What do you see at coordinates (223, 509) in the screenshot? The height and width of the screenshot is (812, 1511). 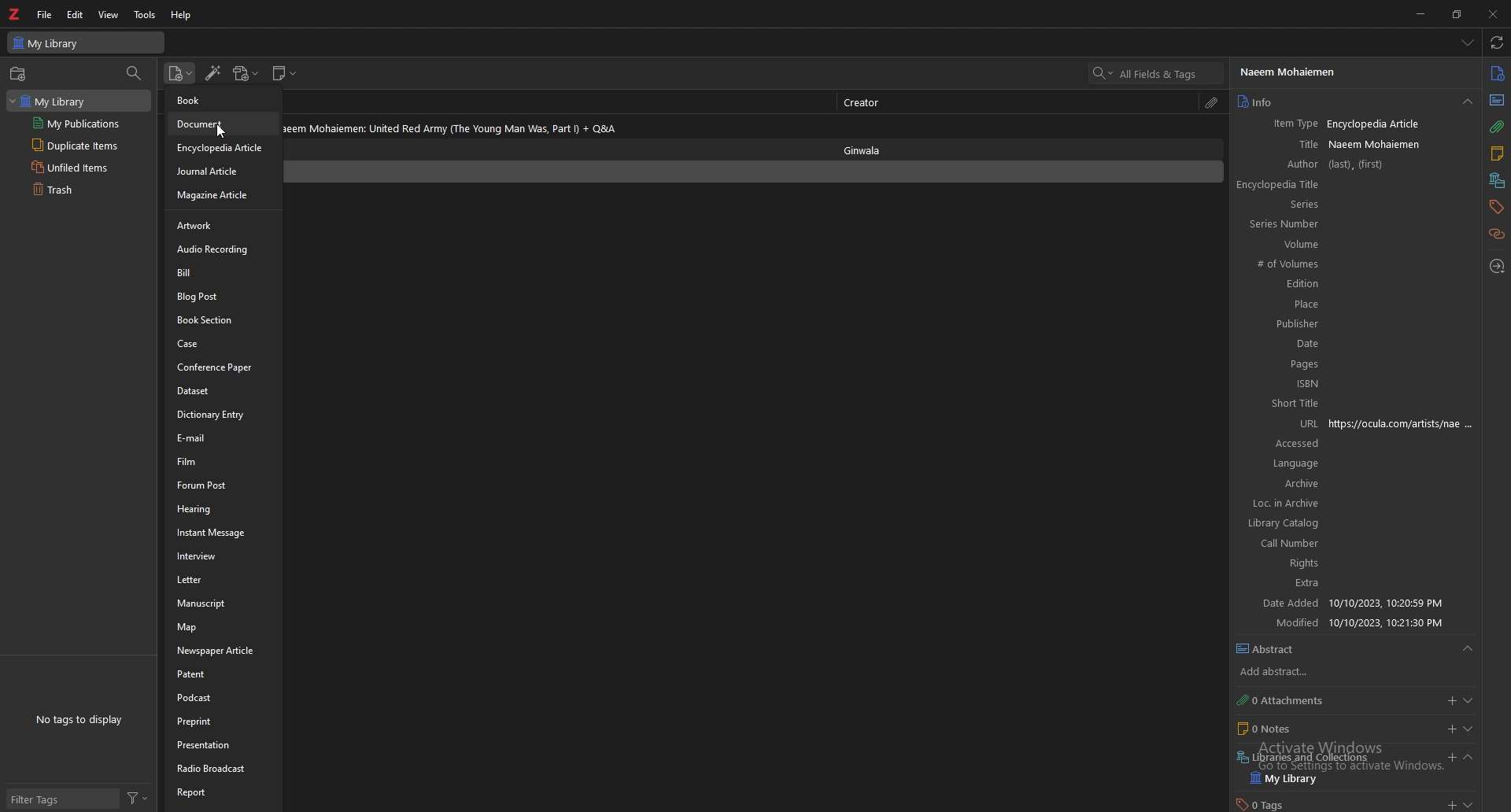 I see `hearing` at bounding box center [223, 509].